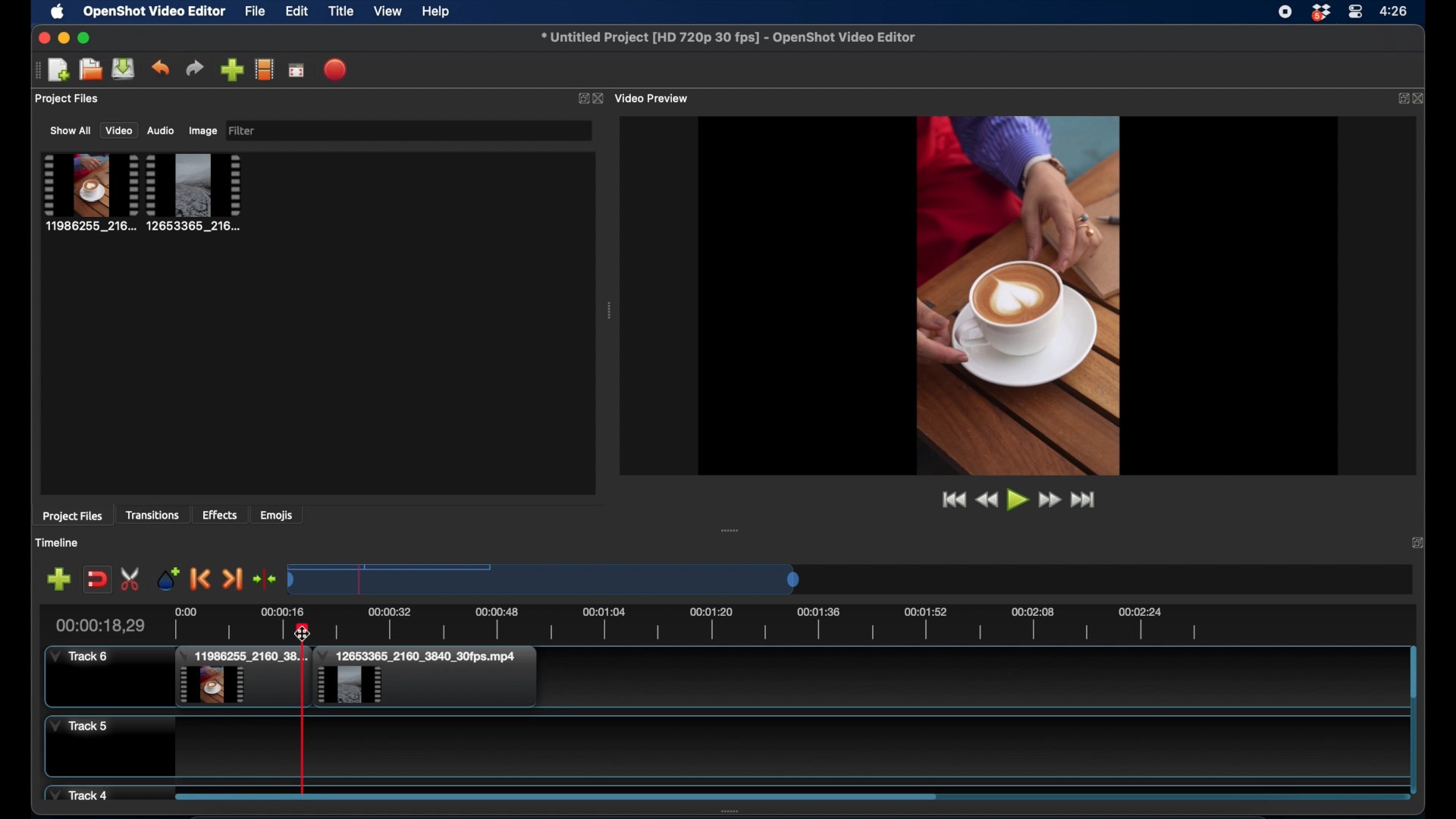 The height and width of the screenshot is (819, 1456). What do you see at coordinates (1086, 500) in the screenshot?
I see `jump to end` at bounding box center [1086, 500].